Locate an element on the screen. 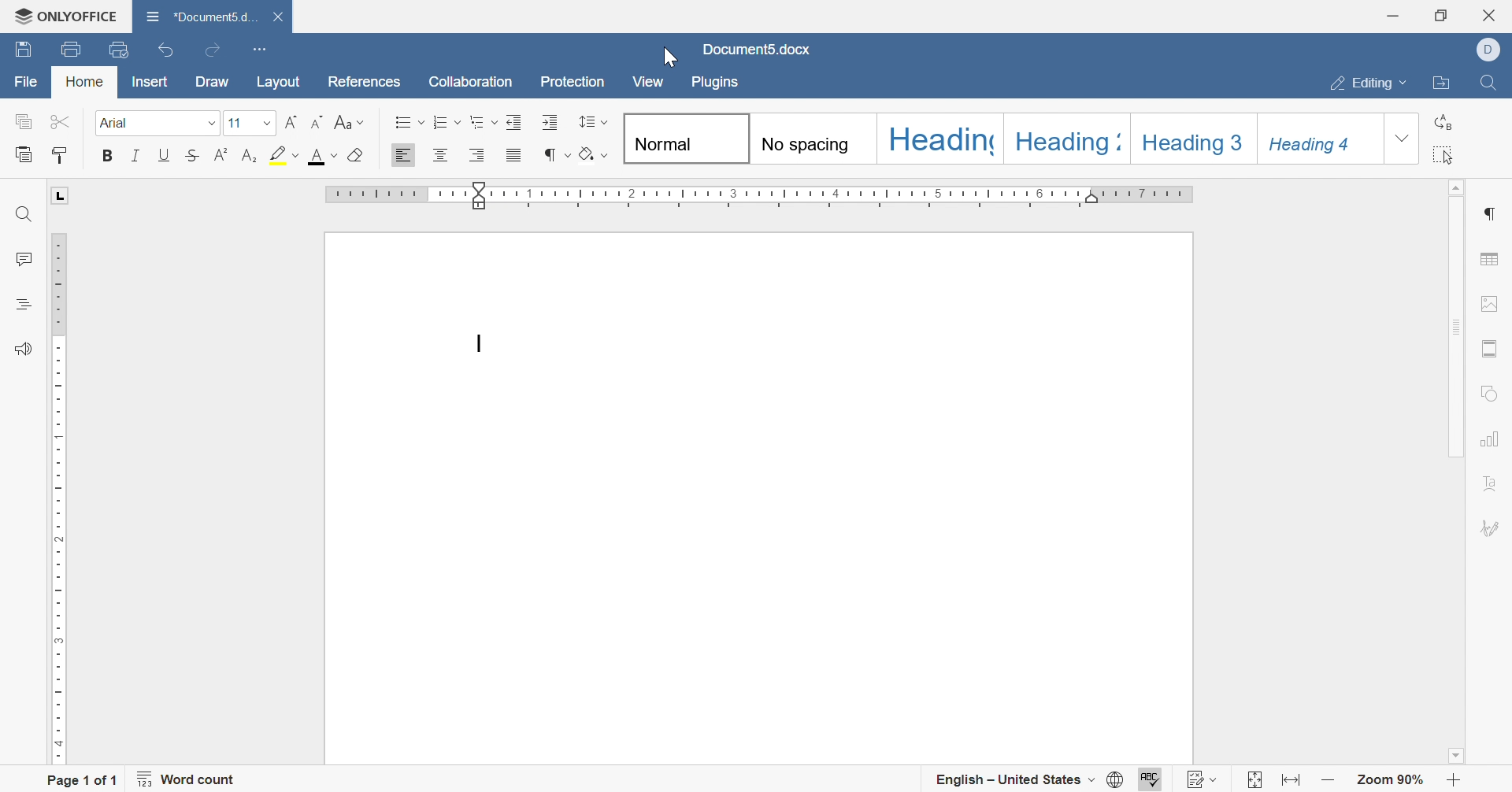 The width and height of the screenshot is (1512, 792). scroll down is located at coordinates (1454, 756).